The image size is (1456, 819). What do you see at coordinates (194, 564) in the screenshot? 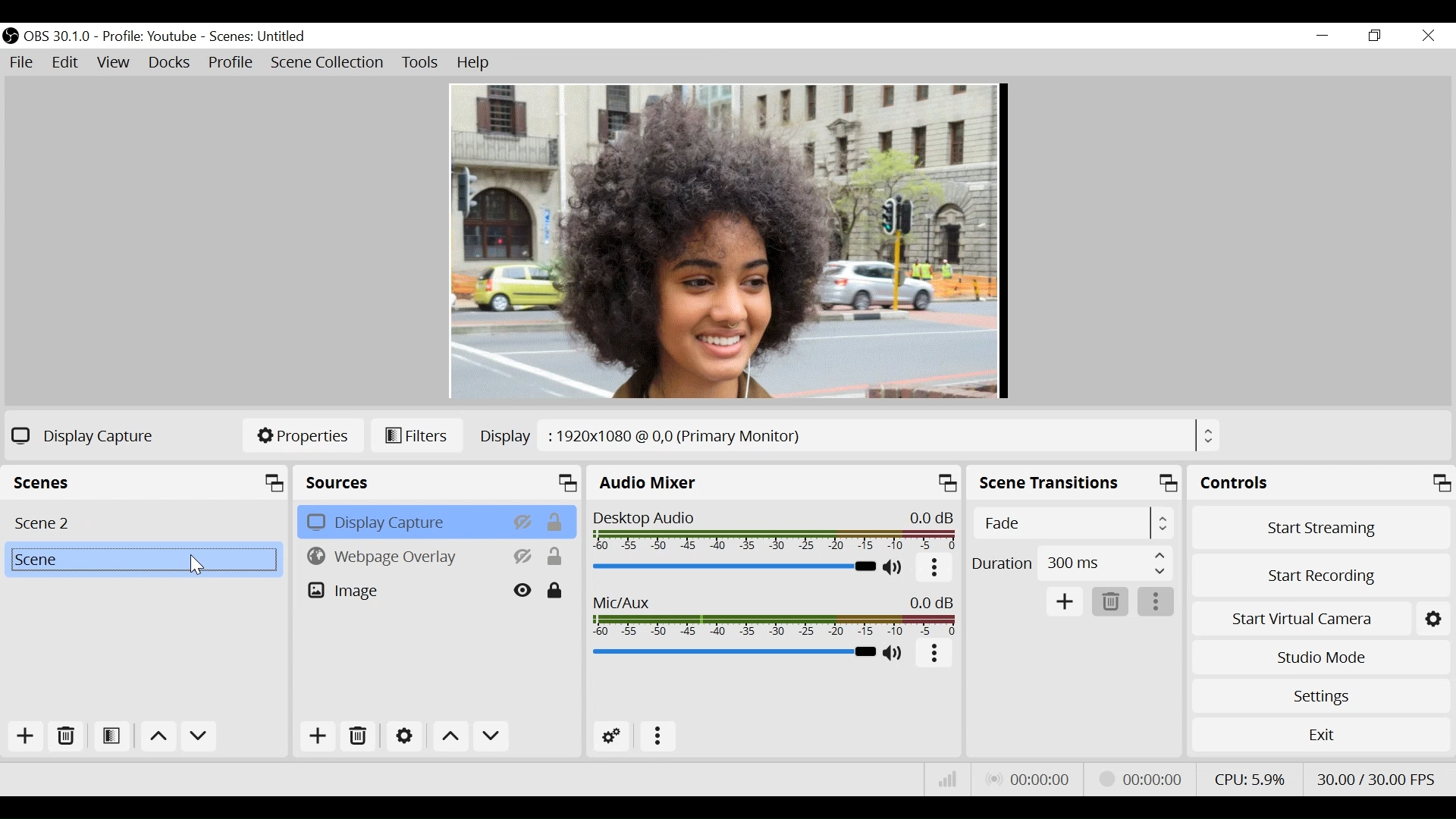
I see `Cursor` at bounding box center [194, 564].